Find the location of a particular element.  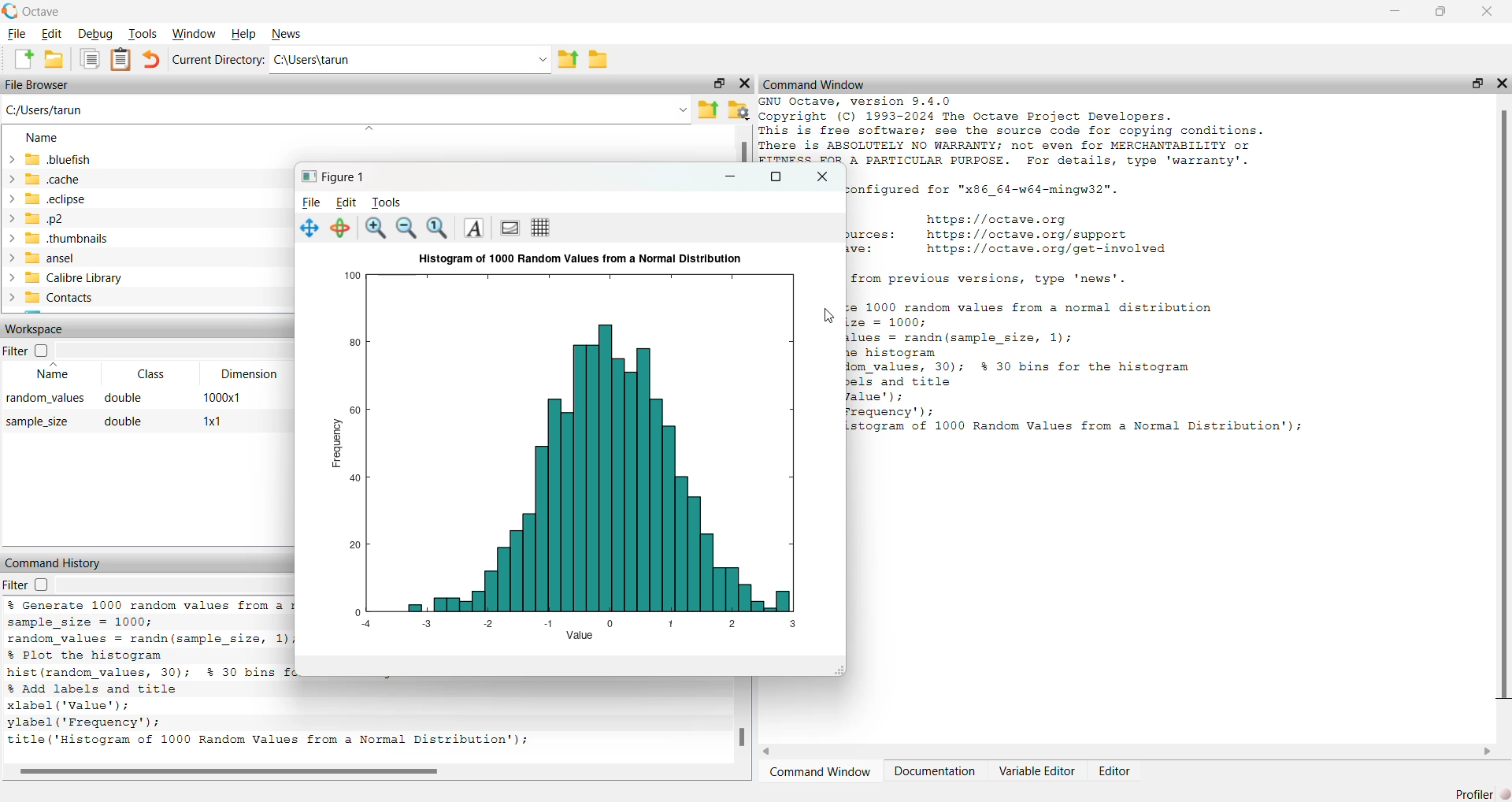

zoom in is located at coordinates (374, 228).